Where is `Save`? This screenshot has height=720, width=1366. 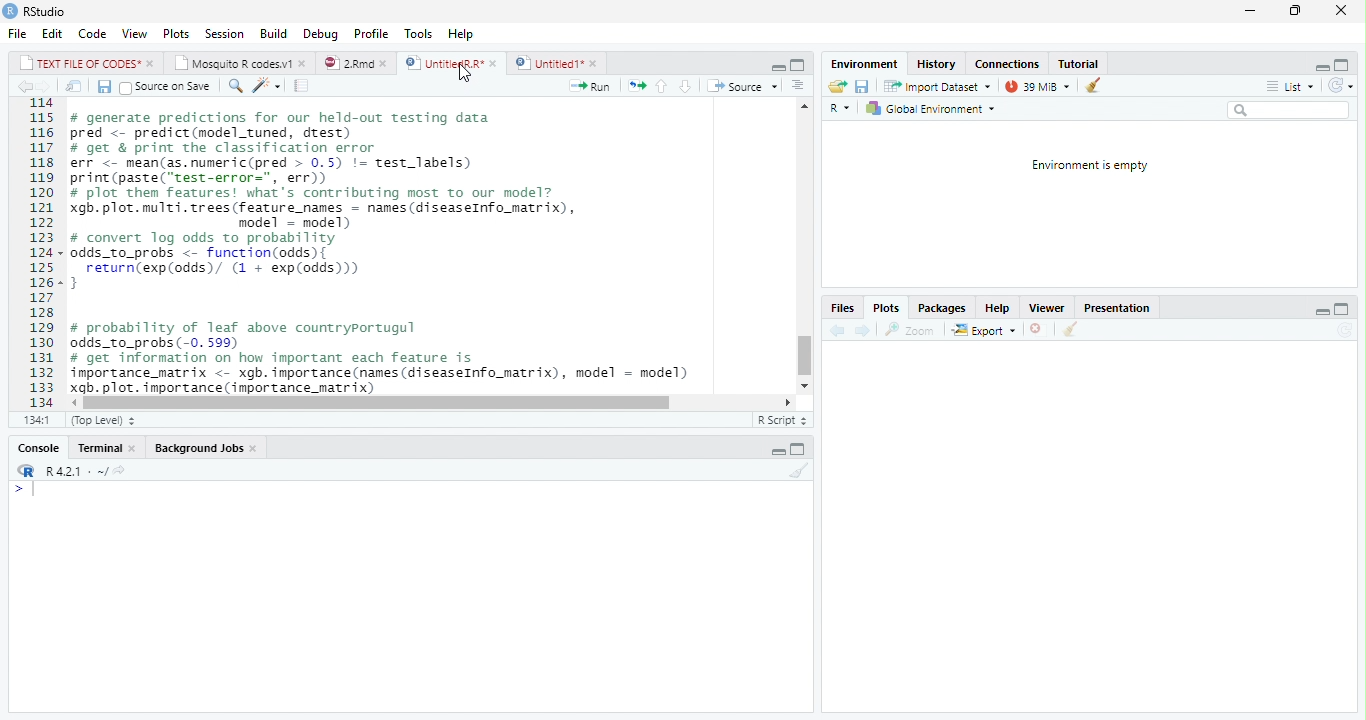 Save is located at coordinates (101, 85).